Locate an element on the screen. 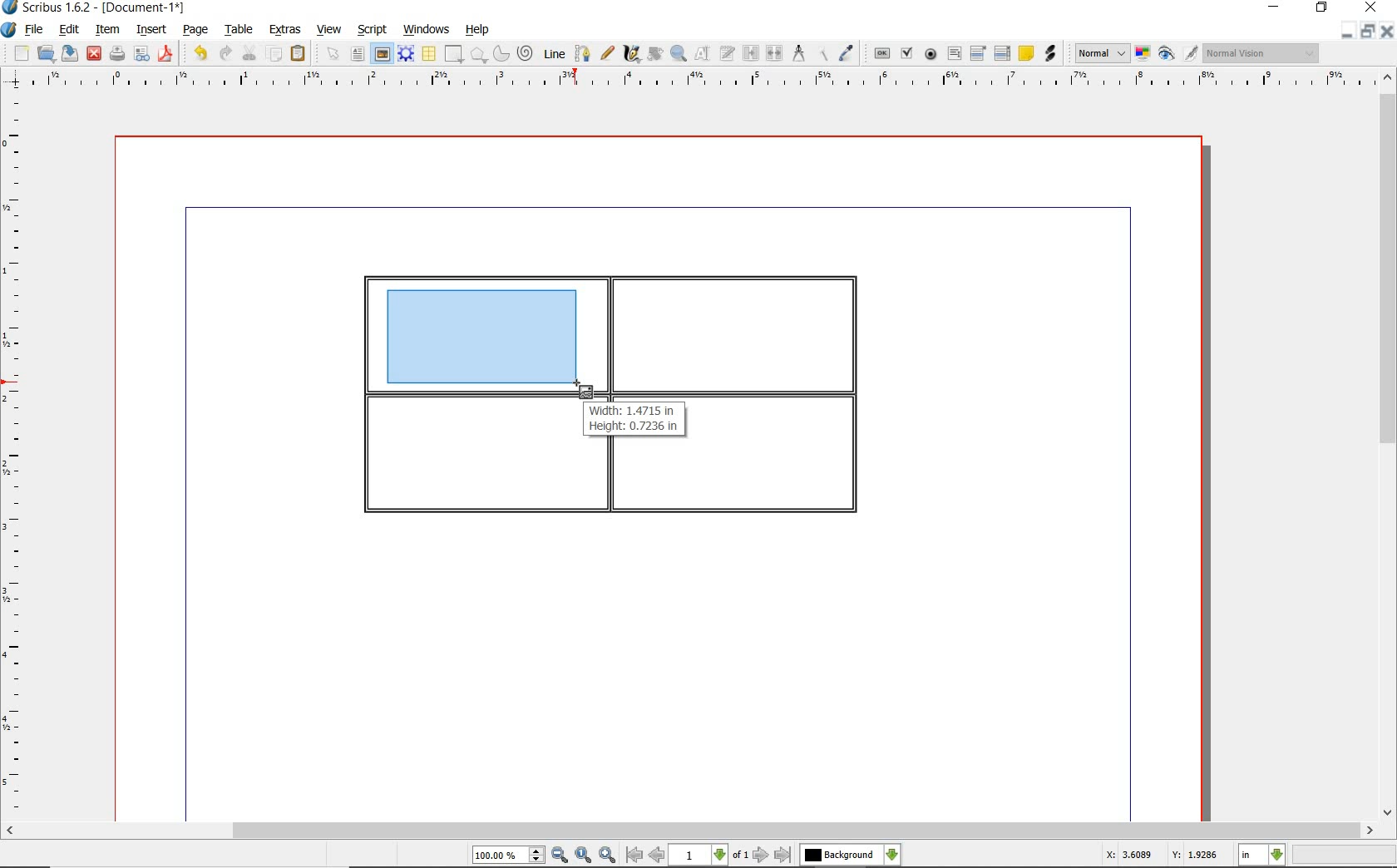 Image resolution: width=1397 pixels, height=868 pixels. image preview quality is located at coordinates (1101, 52).